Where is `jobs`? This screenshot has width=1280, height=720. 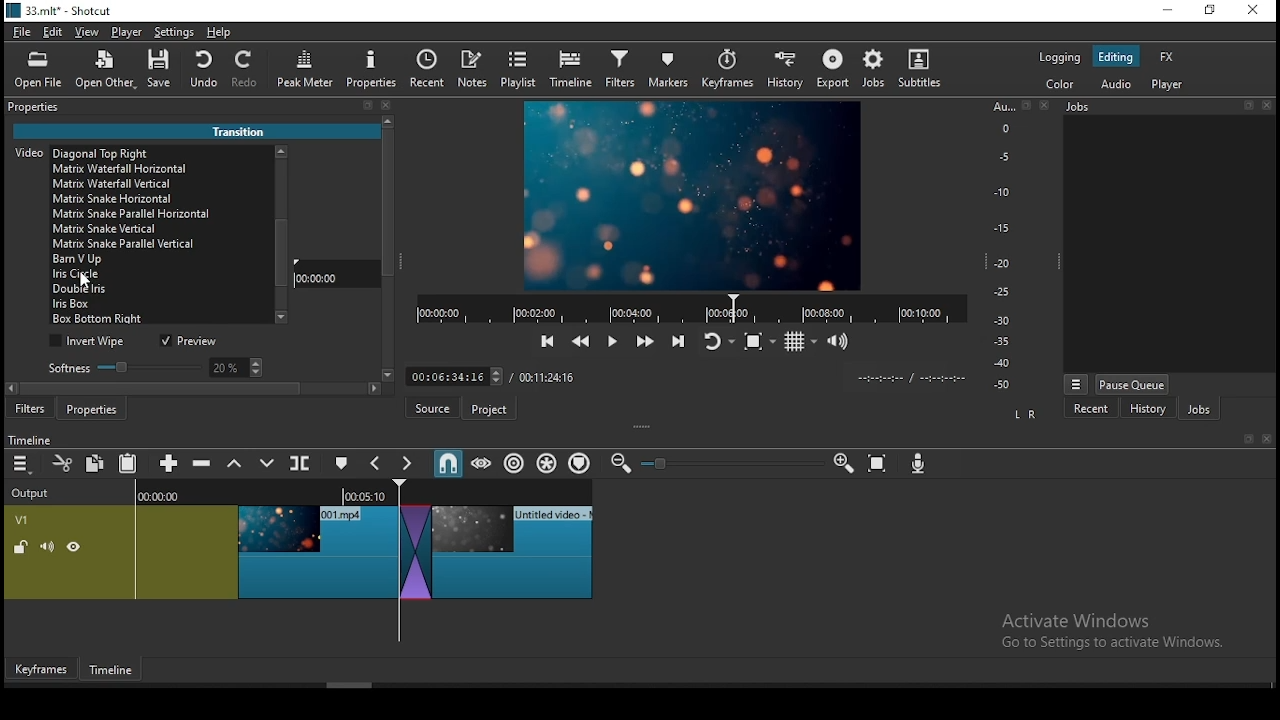 jobs is located at coordinates (874, 68).